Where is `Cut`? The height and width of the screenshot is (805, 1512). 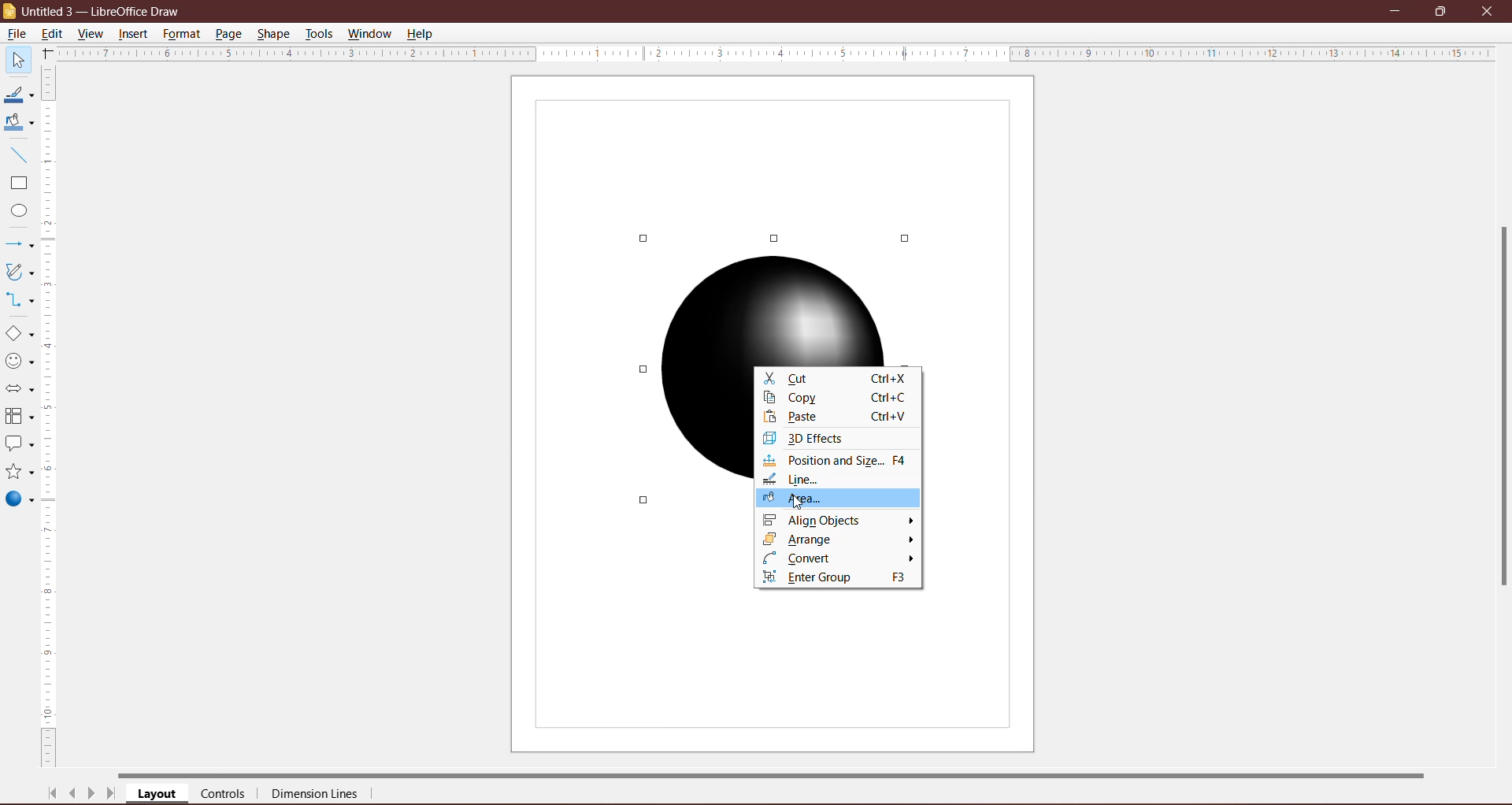 Cut is located at coordinates (837, 378).